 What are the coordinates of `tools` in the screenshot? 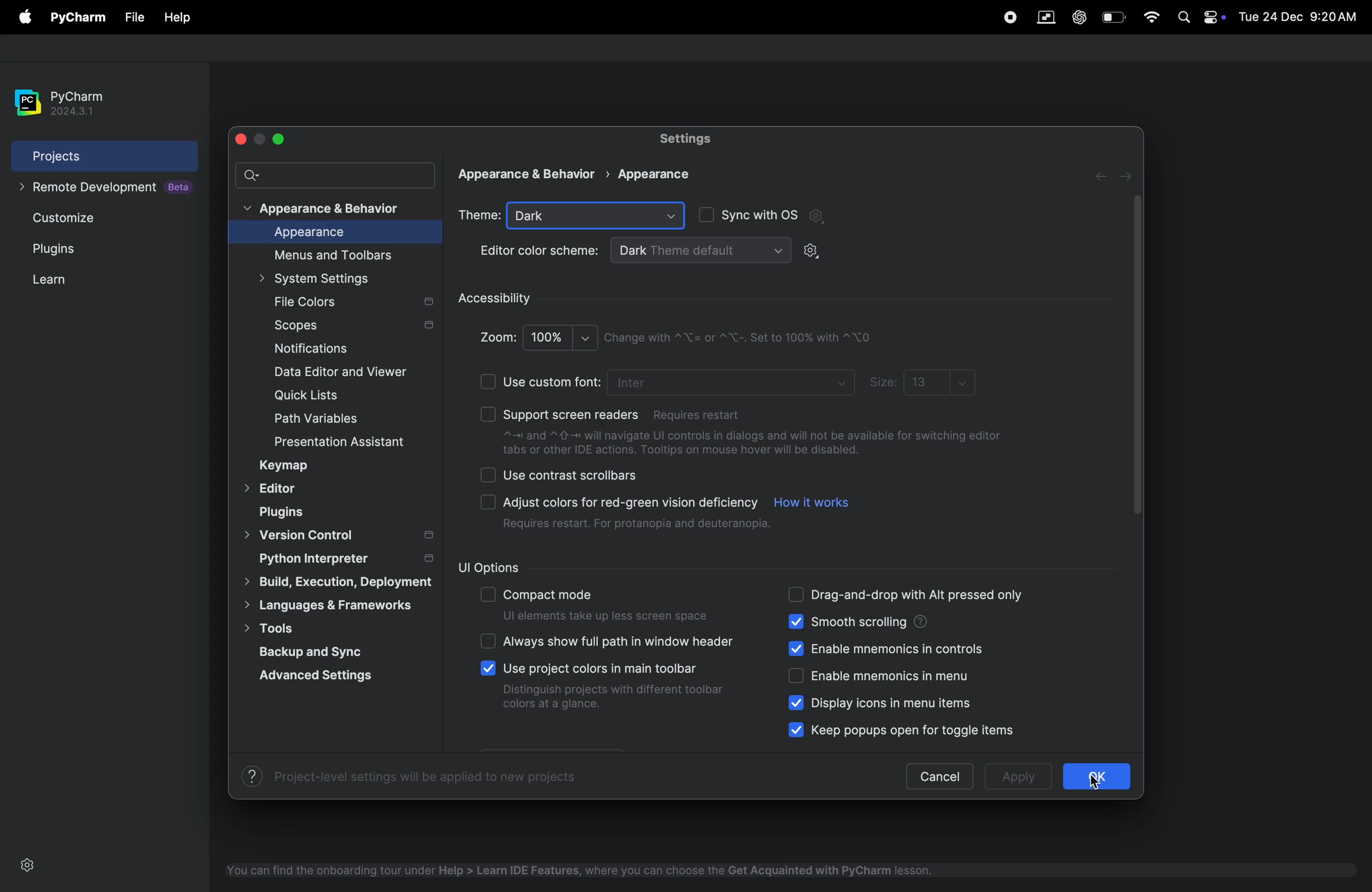 It's located at (296, 628).